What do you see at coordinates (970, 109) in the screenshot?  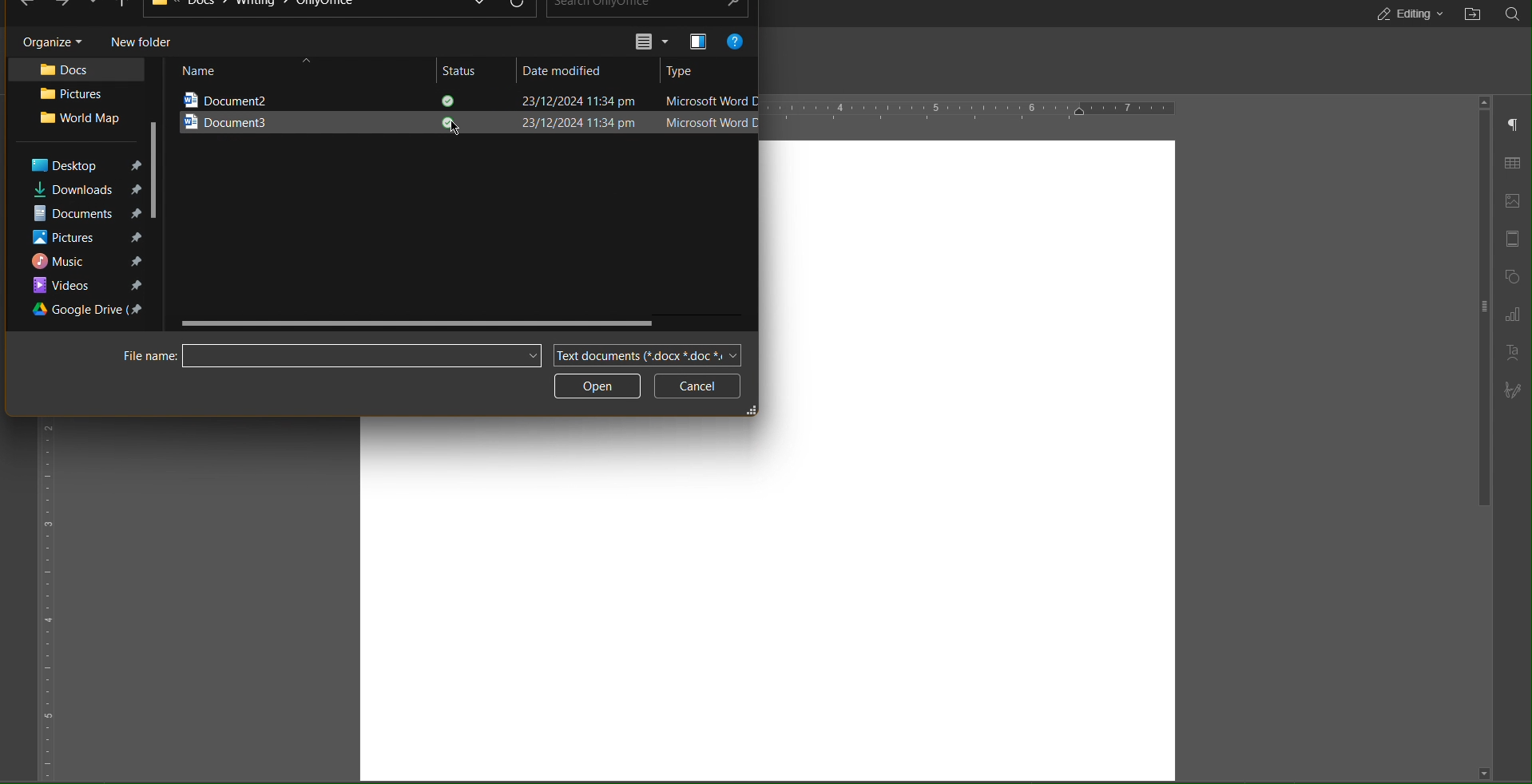 I see `Horizontal Ruler` at bounding box center [970, 109].